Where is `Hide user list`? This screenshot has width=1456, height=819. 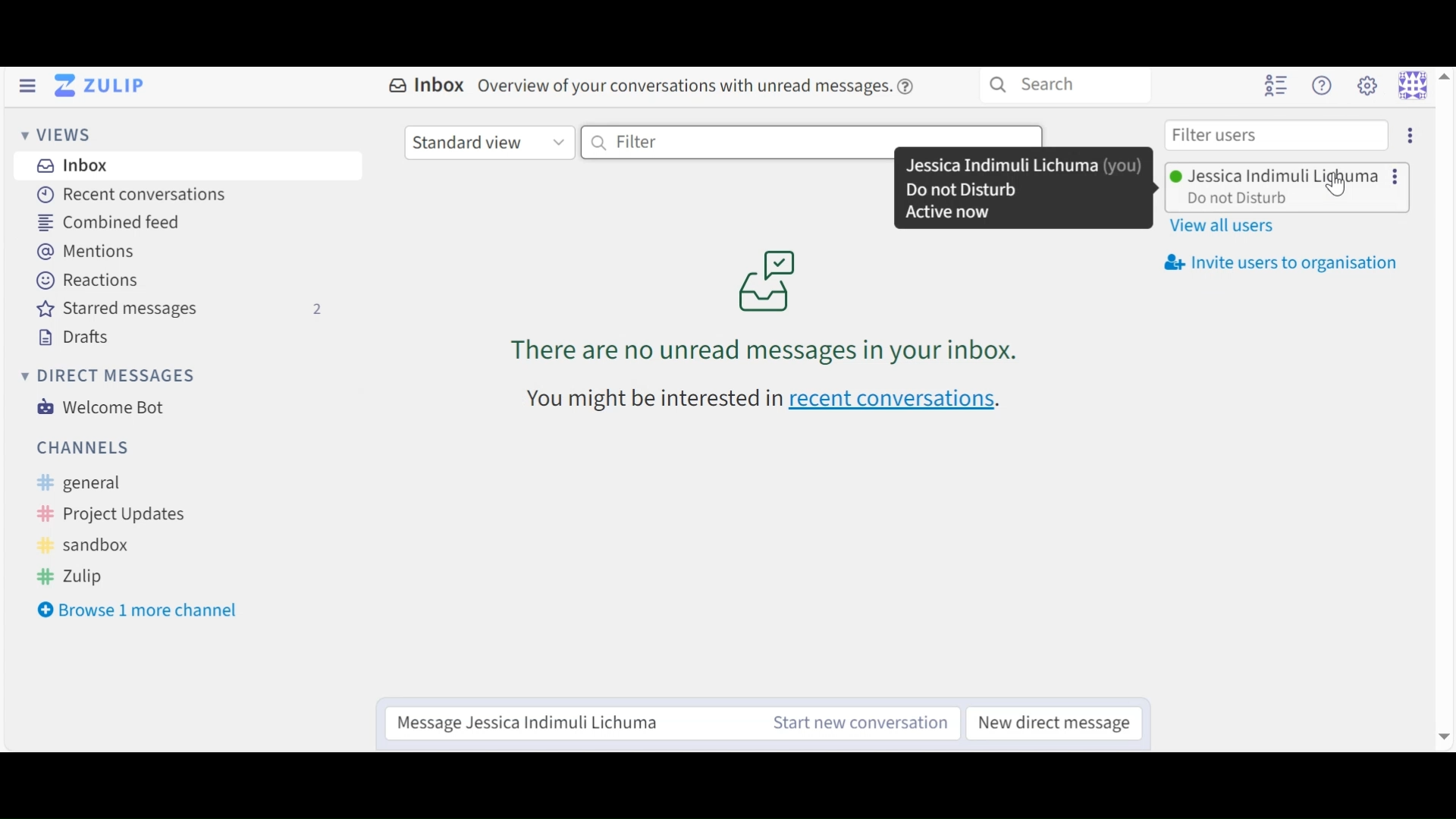
Hide user list is located at coordinates (1273, 86).